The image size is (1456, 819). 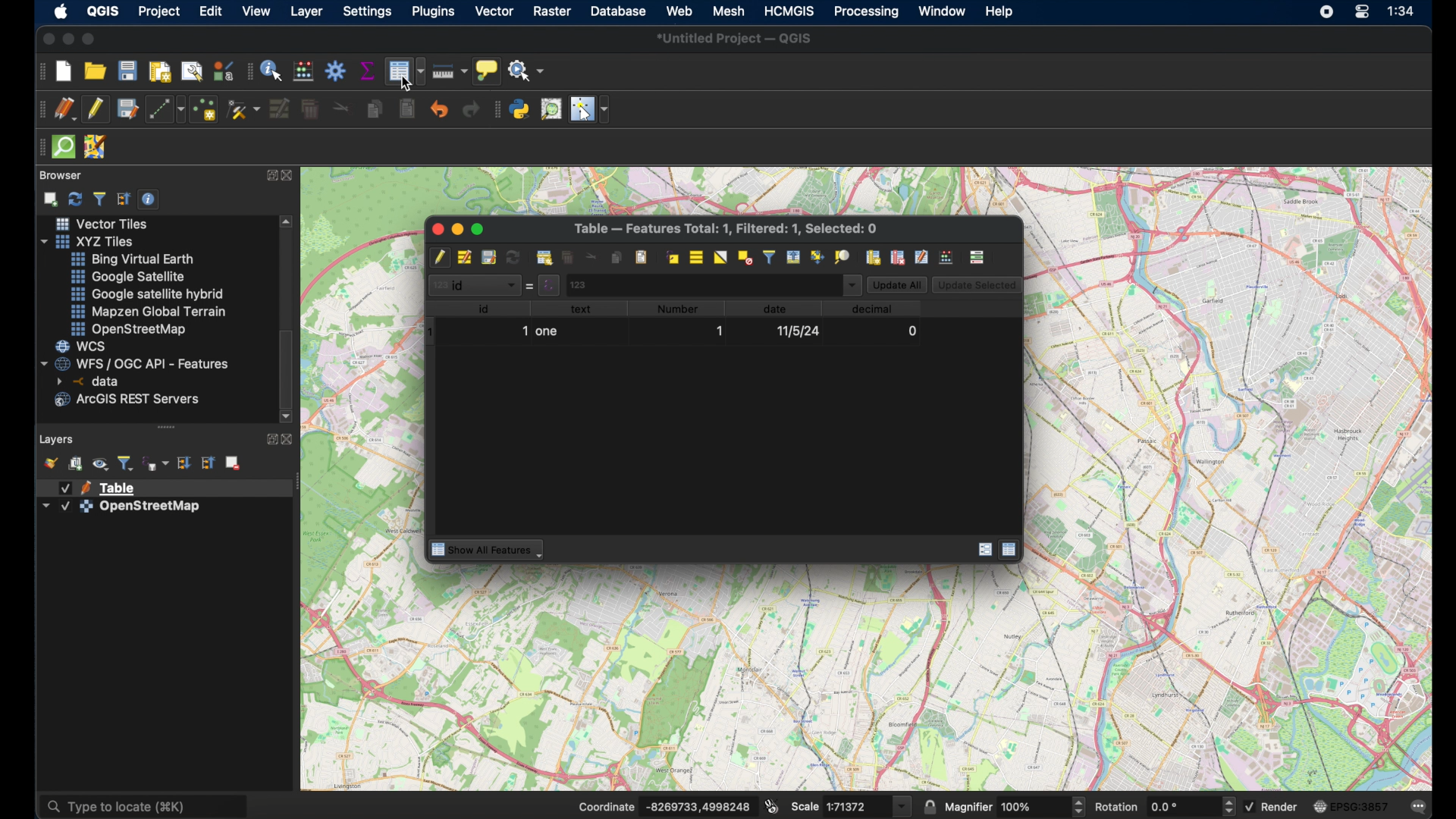 I want to click on redo, so click(x=473, y=110).